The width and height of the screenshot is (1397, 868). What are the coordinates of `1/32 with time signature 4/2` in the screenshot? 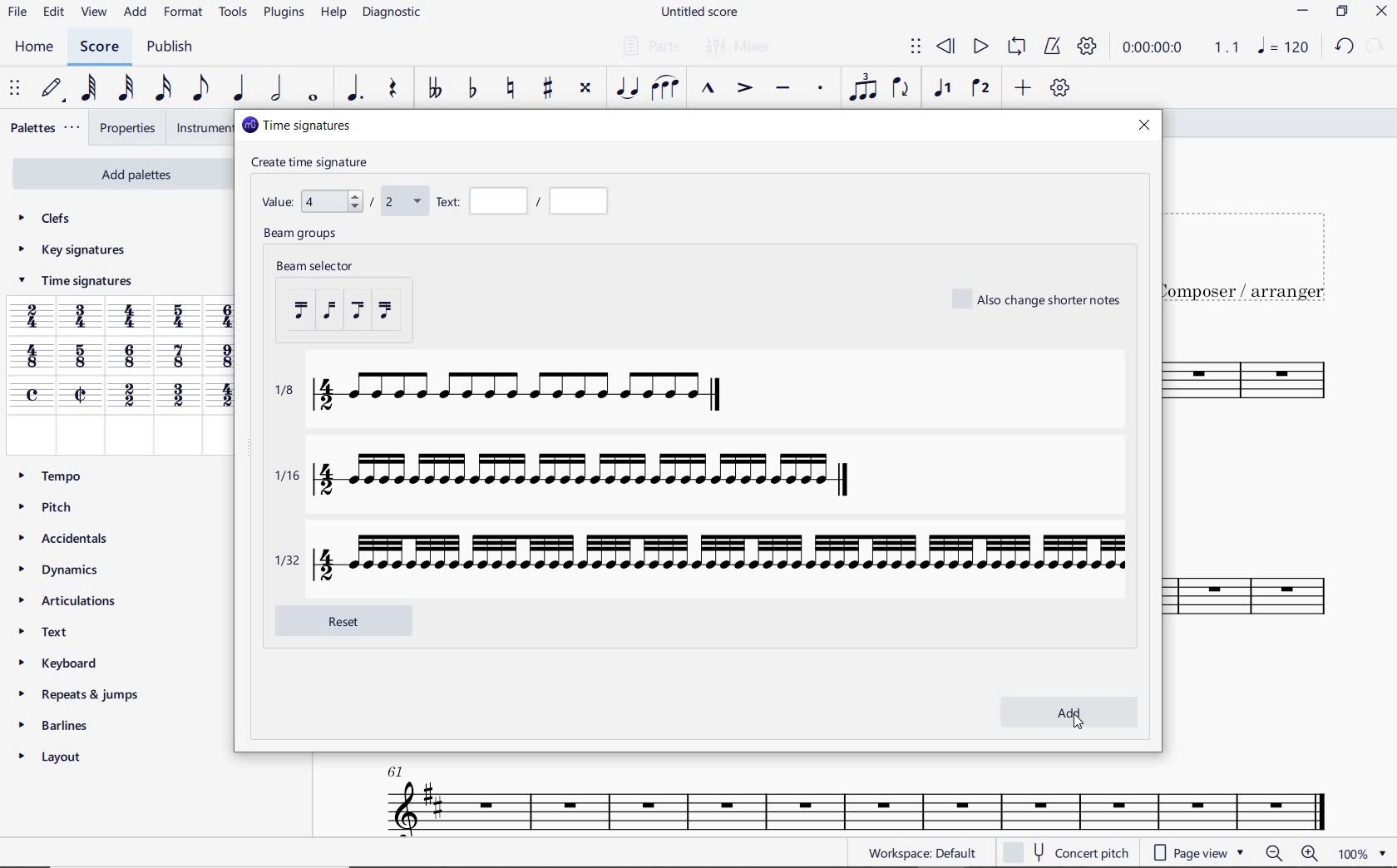 It's located at (703, 557).